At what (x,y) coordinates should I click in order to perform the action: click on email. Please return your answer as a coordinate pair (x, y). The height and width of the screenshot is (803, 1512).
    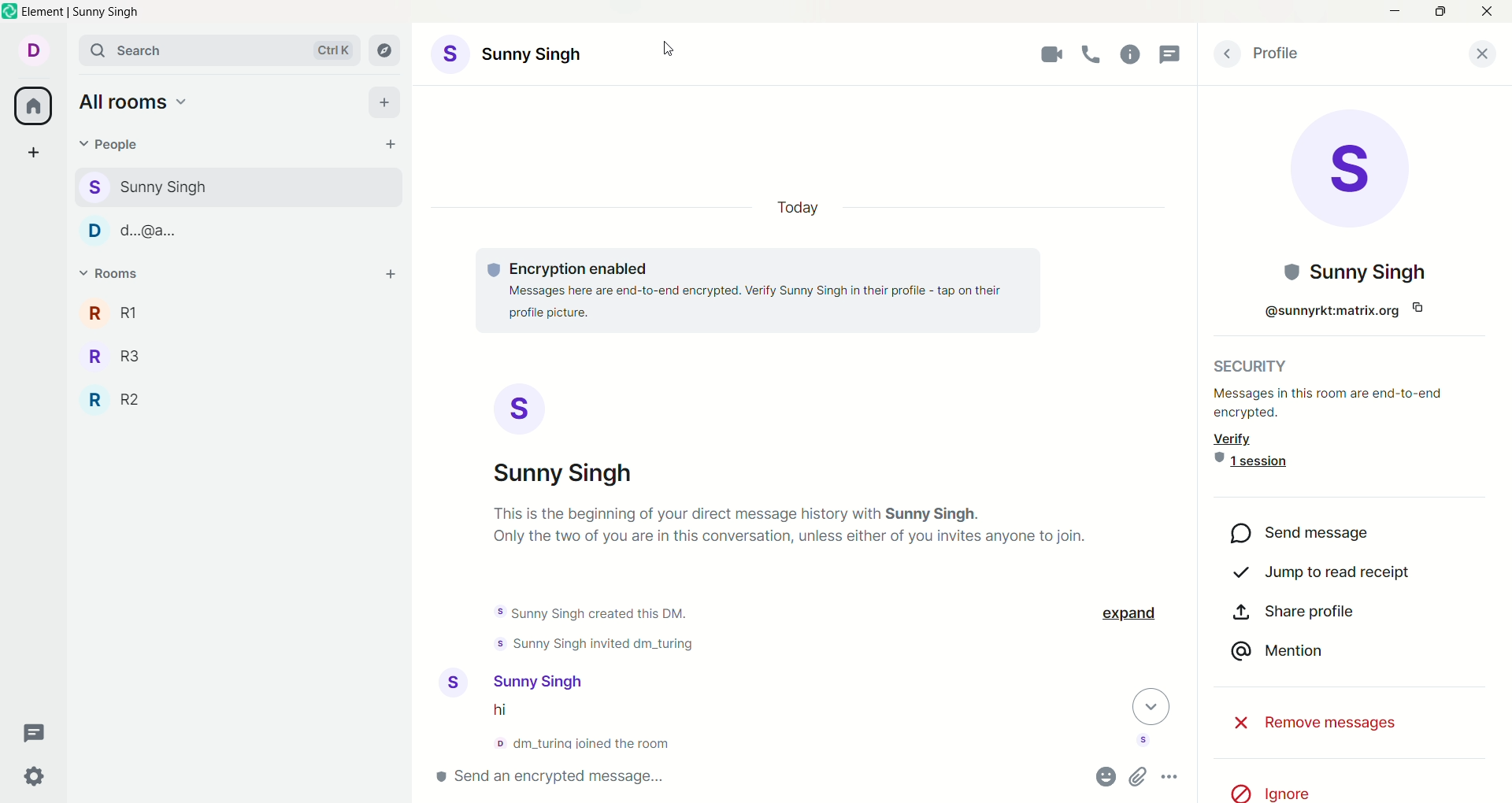
    Looking at the image, I should click on (1313, 311).